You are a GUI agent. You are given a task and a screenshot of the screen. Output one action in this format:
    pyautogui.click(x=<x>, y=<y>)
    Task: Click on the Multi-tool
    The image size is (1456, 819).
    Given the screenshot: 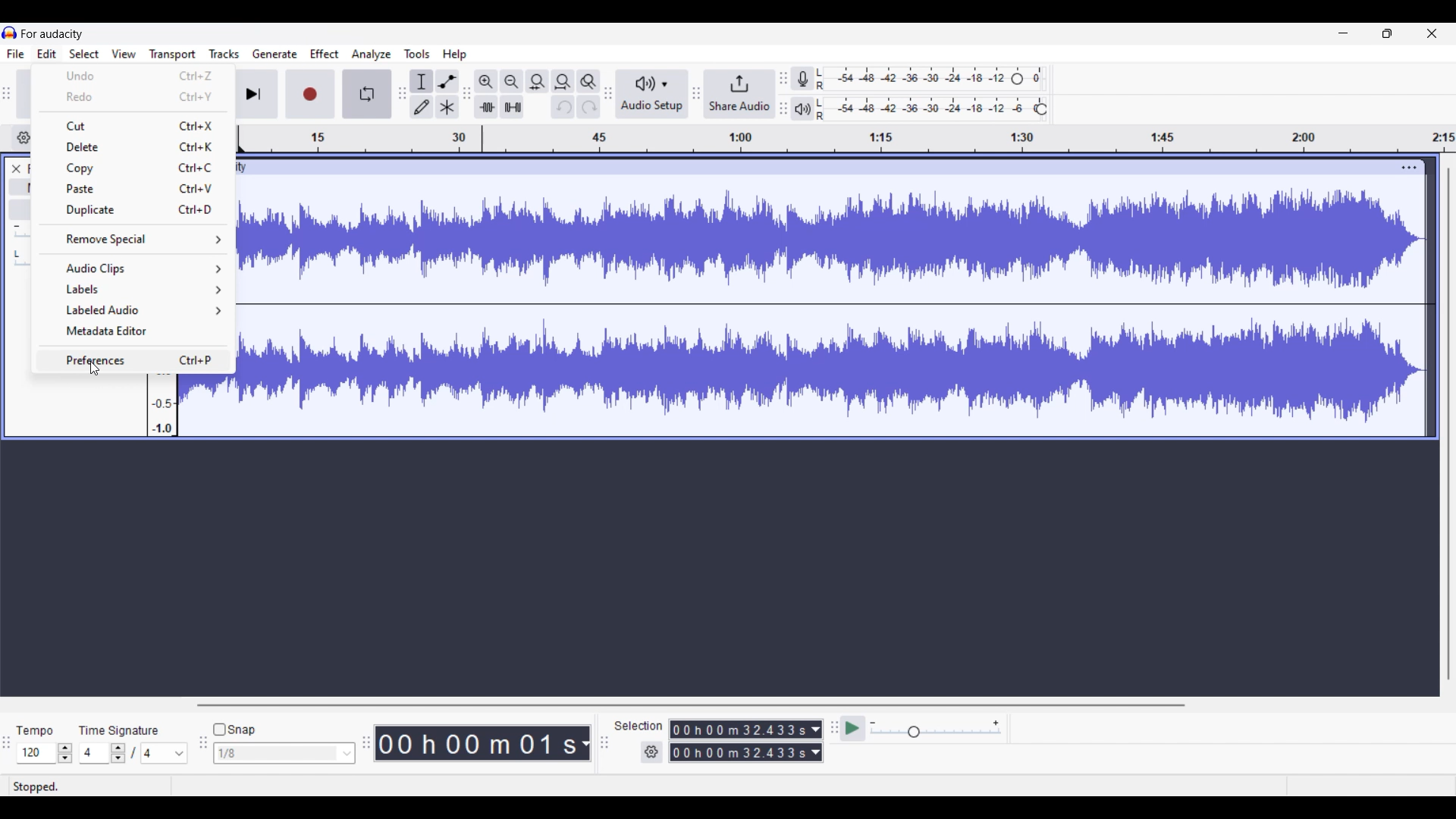 What is the action you would take?
    pyautogui.click(x=447, y=106)
    